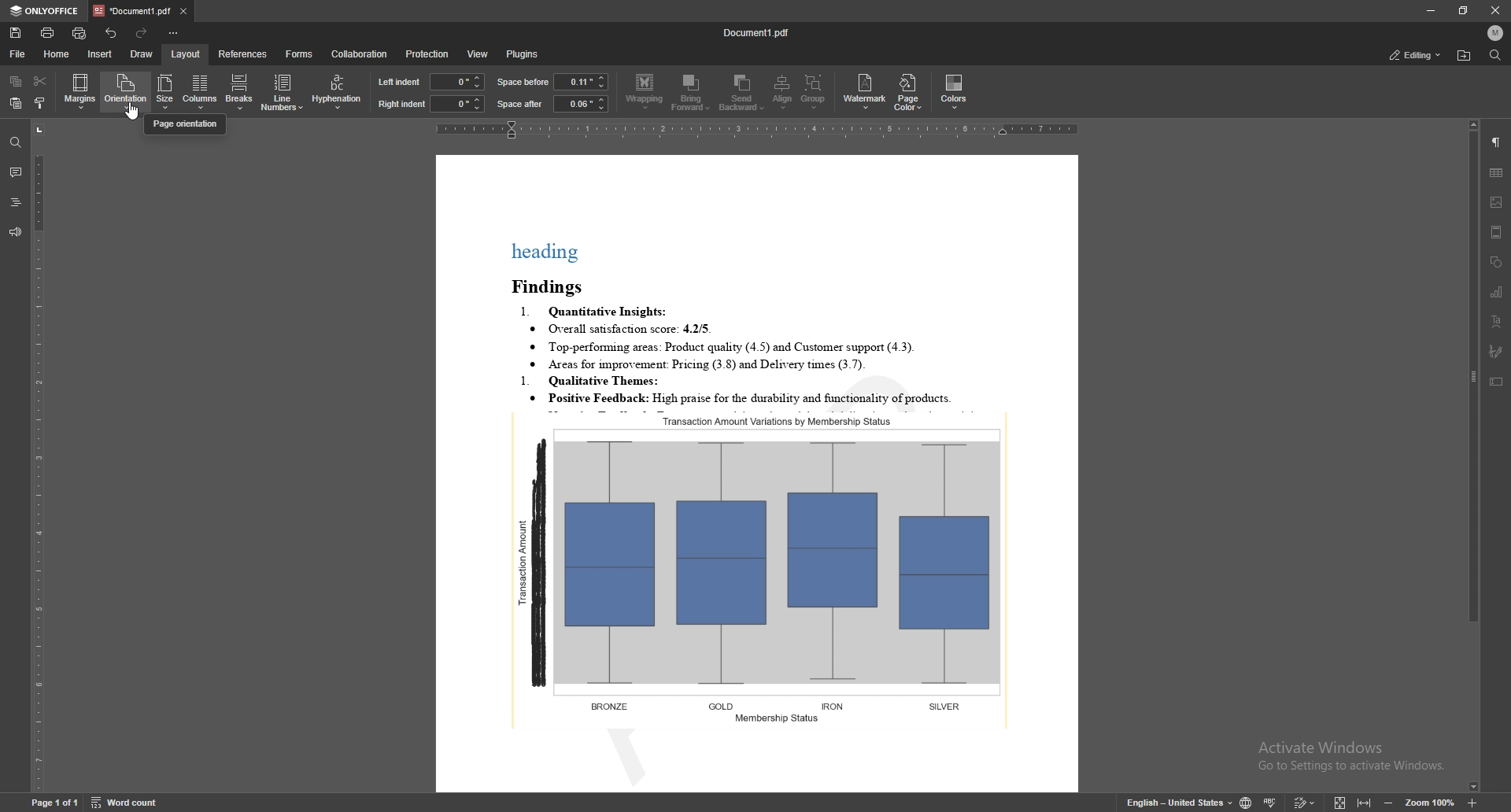 The image size is (1511, 812). What do you see at coordinates (1472, 803) in the screenshot?
I see `zoom in` at bounding box center [1472, 803].